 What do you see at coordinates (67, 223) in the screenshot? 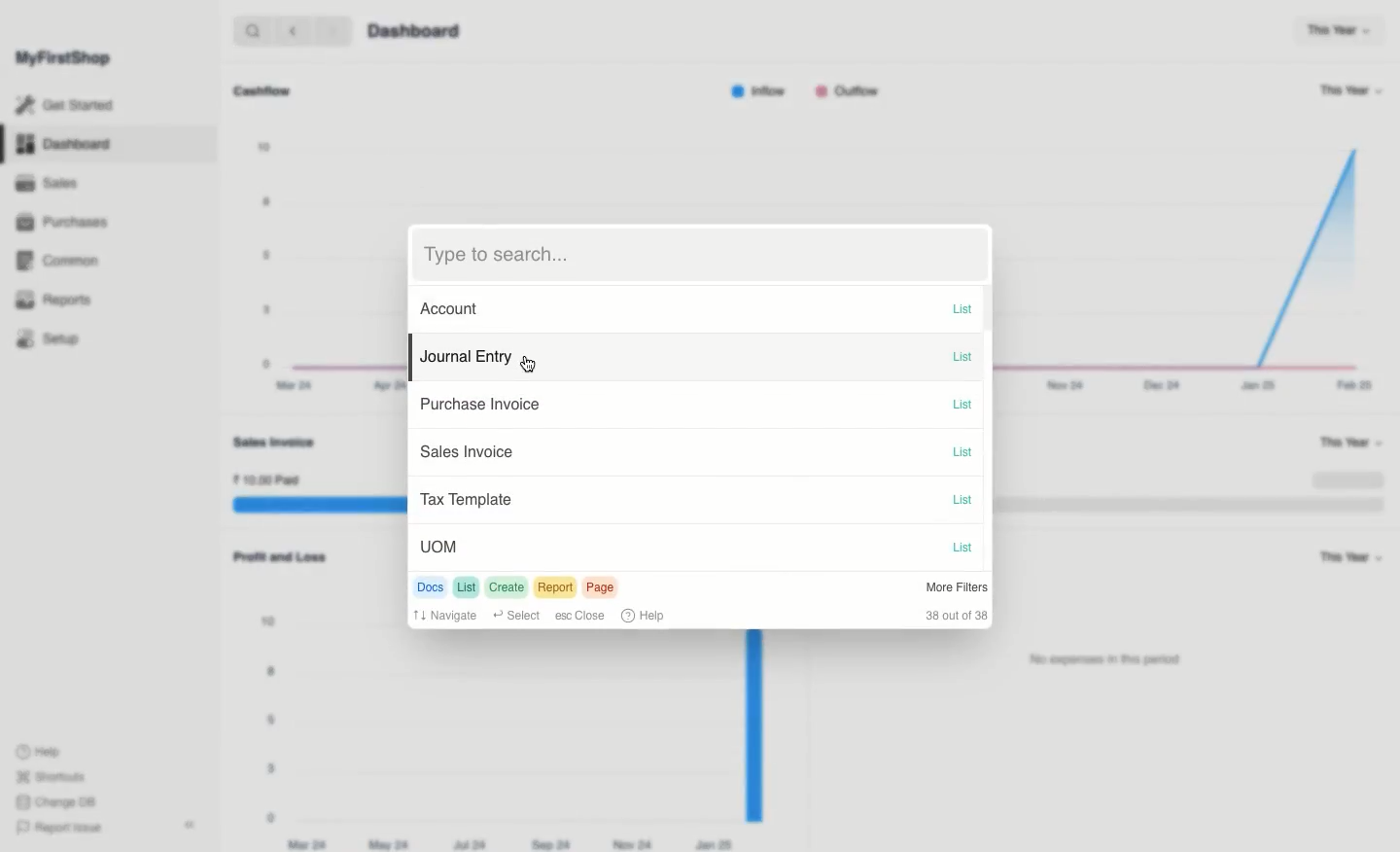
I see `Purchases` at bounding box center [67, 223].